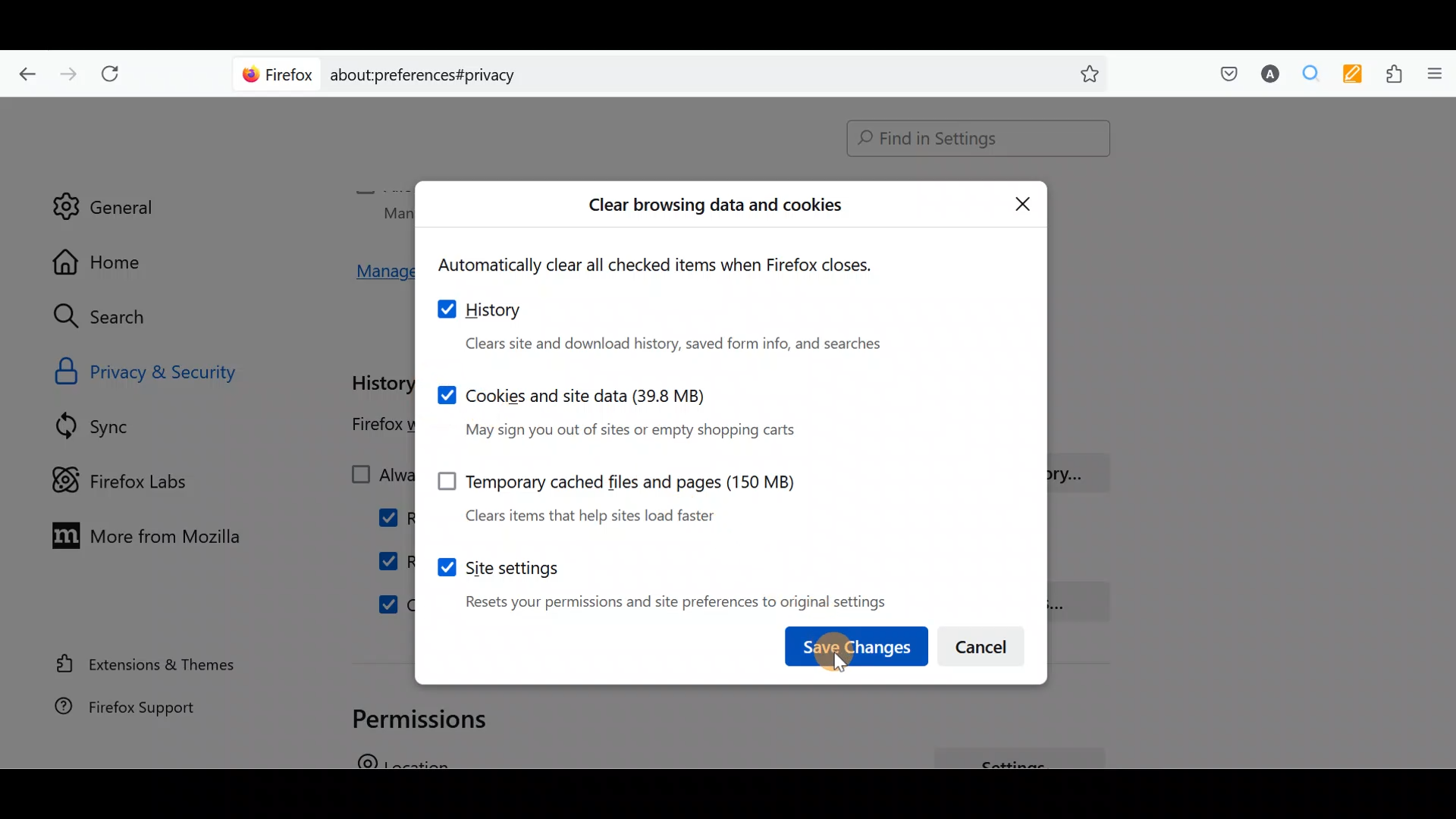 Image resolution: width=1456 pixels, height=819 pixels. Describe the element at coordinates (843, 670) in the screenshot. I see `cursor` at that location.